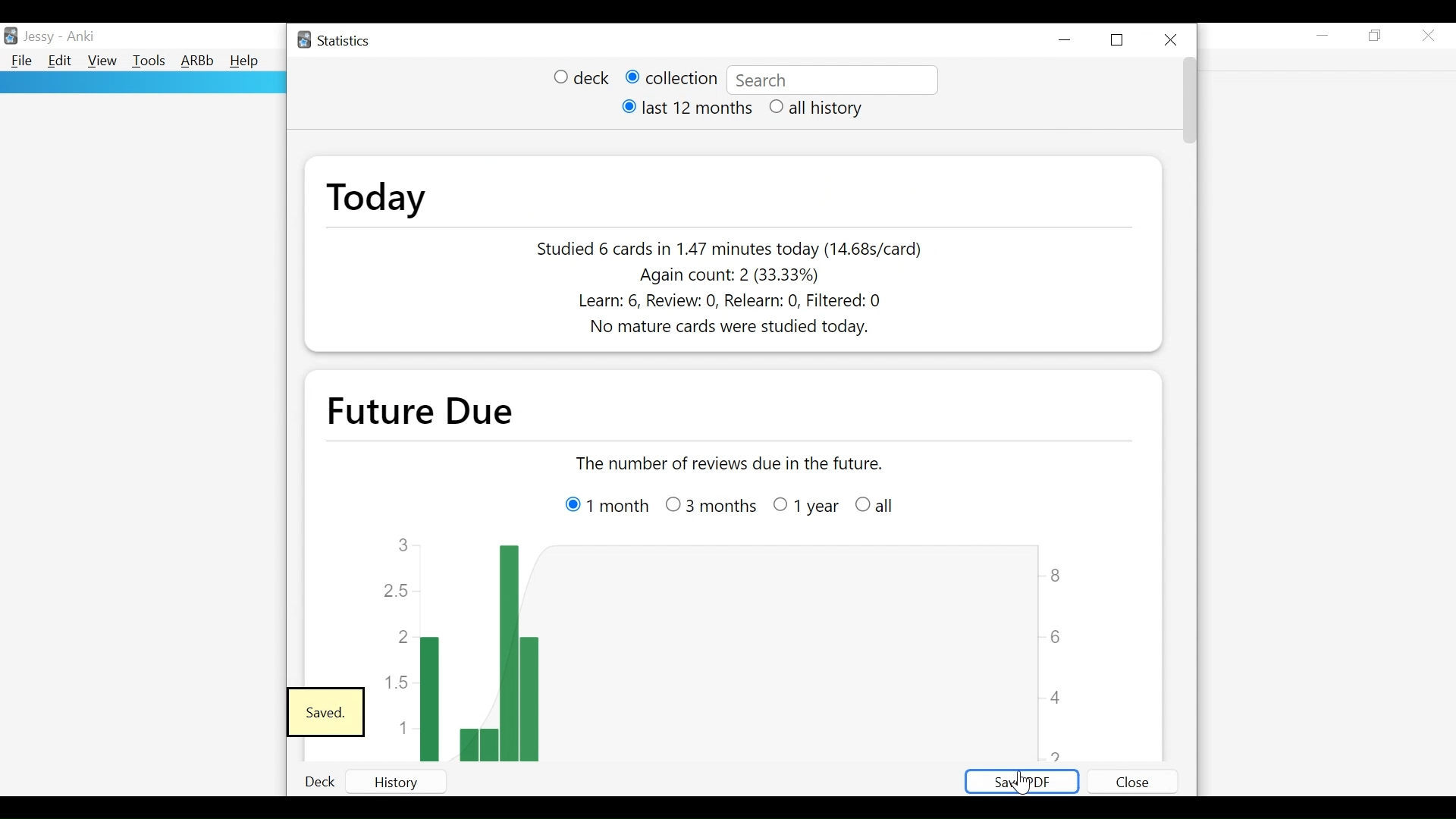 The image size is (1456, 819). Describe the element at coordinates (247, 61) in the screenshot. I see `Help` at that location.